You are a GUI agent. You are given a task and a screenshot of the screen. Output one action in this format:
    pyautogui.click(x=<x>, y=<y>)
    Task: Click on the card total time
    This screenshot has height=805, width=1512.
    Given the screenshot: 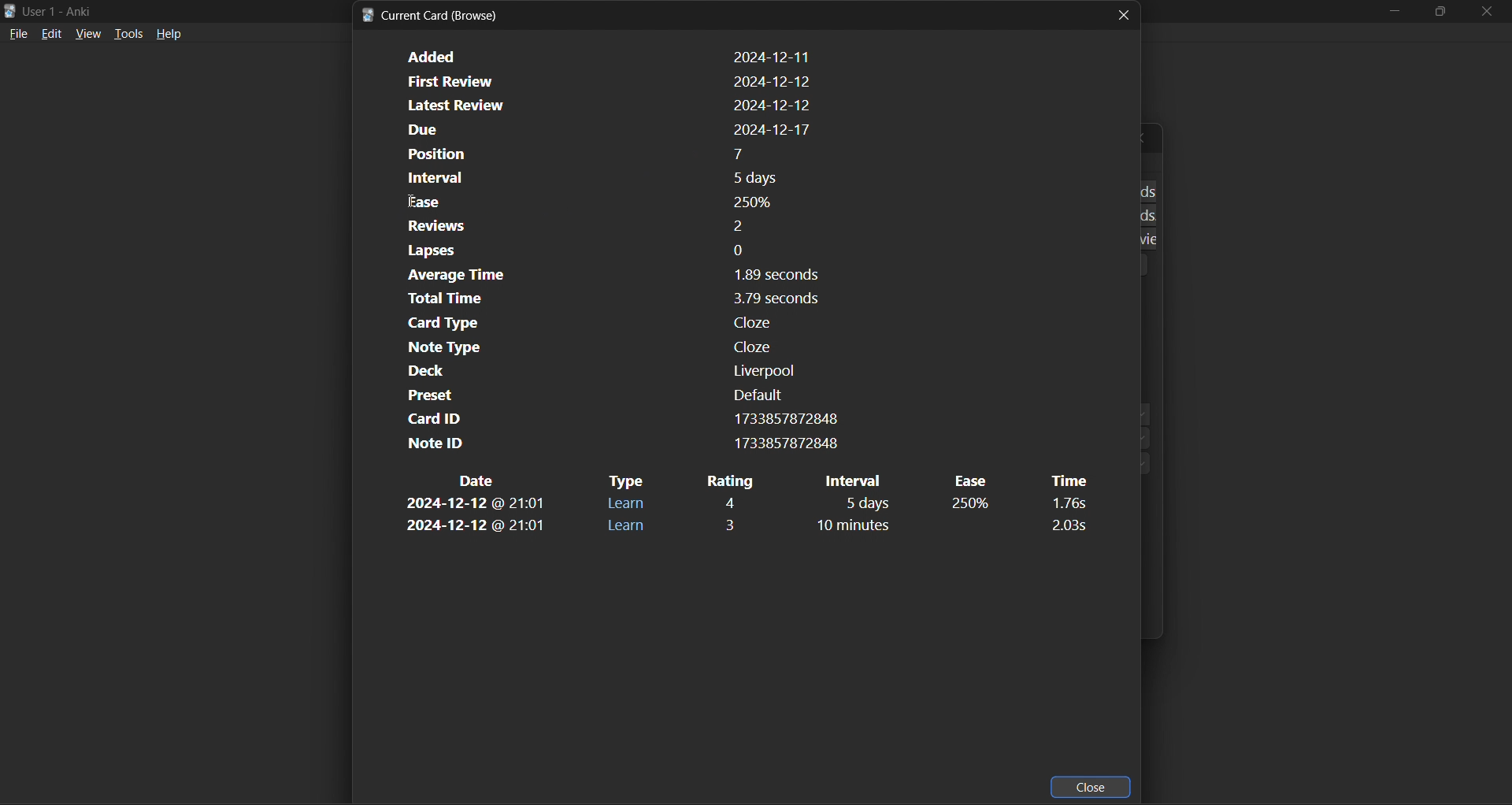 What is the action you would take?
    pyautogui.click(x=600, y=299)
    